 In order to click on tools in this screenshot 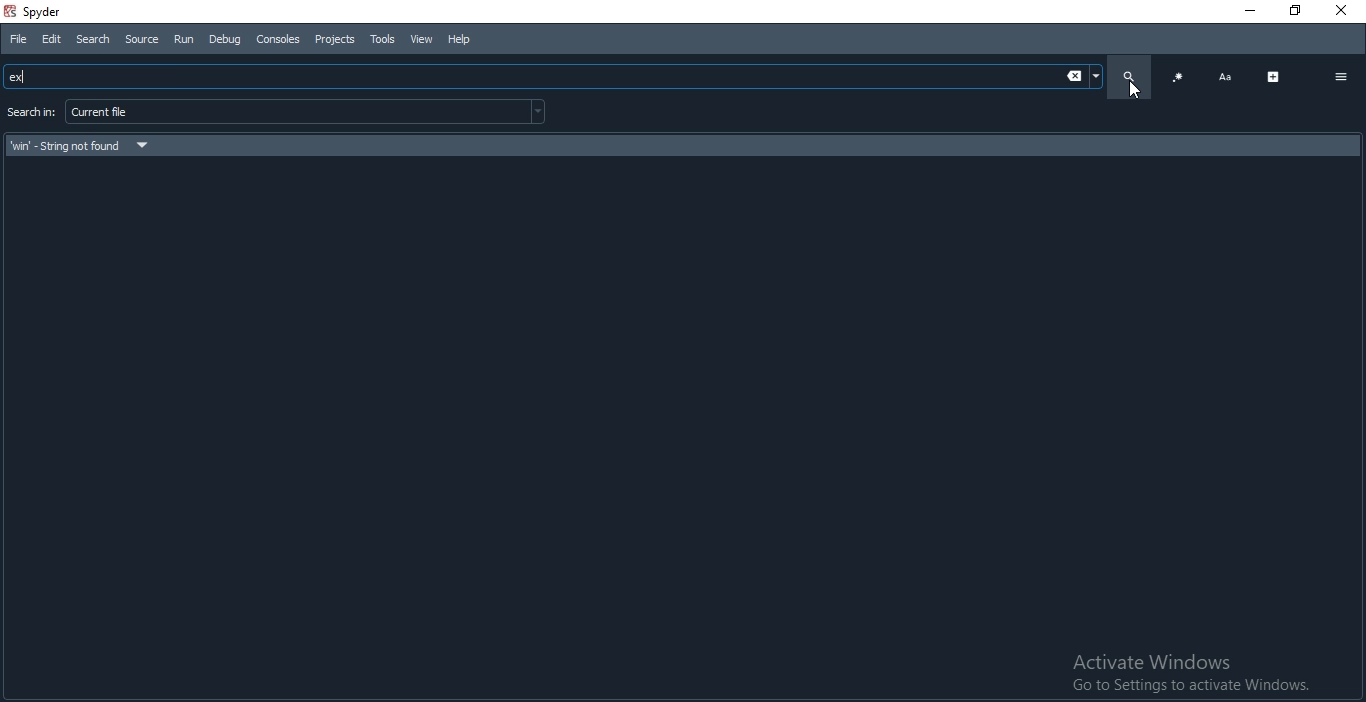, I will do `click(382, 39)`.